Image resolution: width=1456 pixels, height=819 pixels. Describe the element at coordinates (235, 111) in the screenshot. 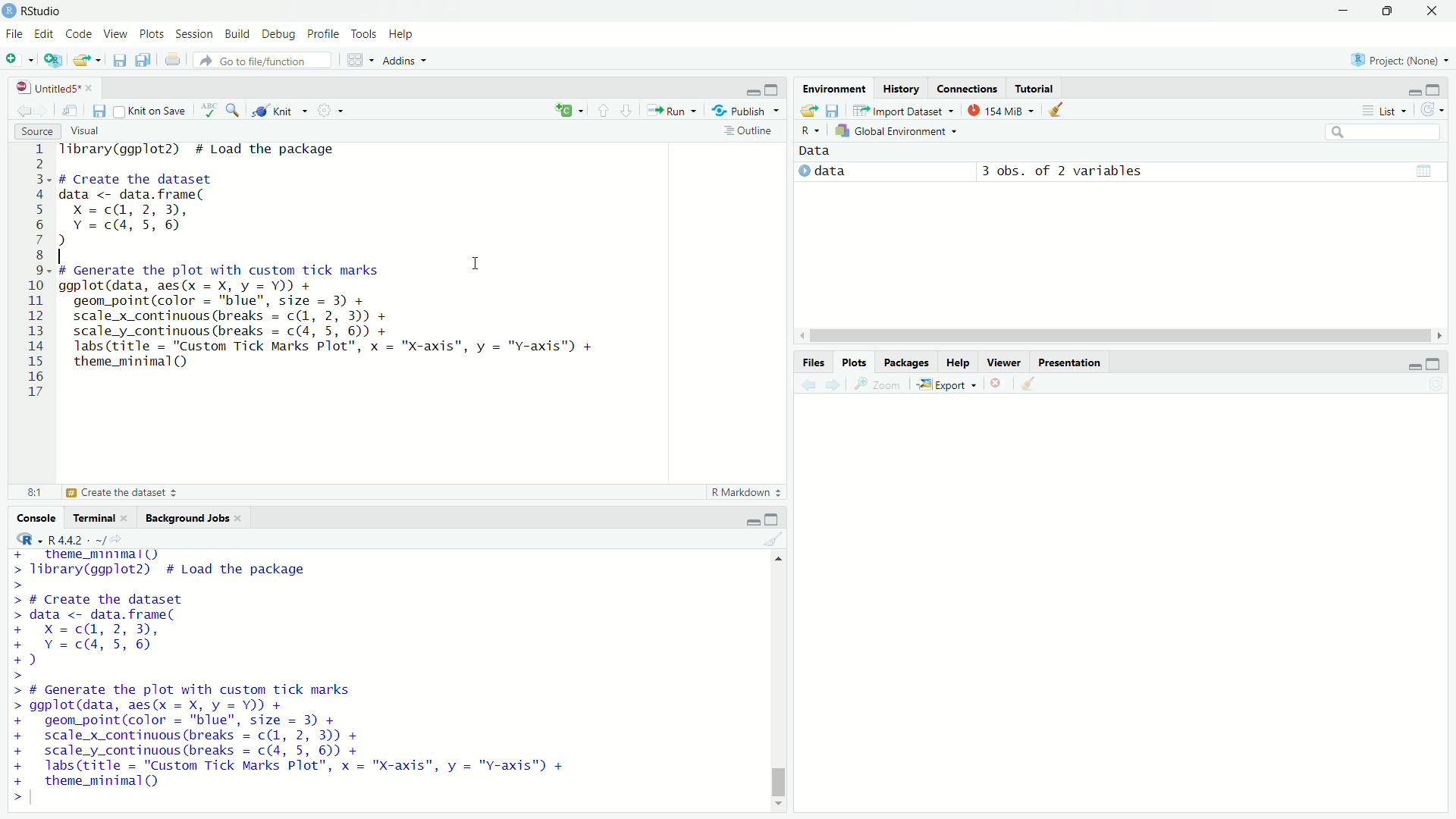

I see `find/replace` at that location.